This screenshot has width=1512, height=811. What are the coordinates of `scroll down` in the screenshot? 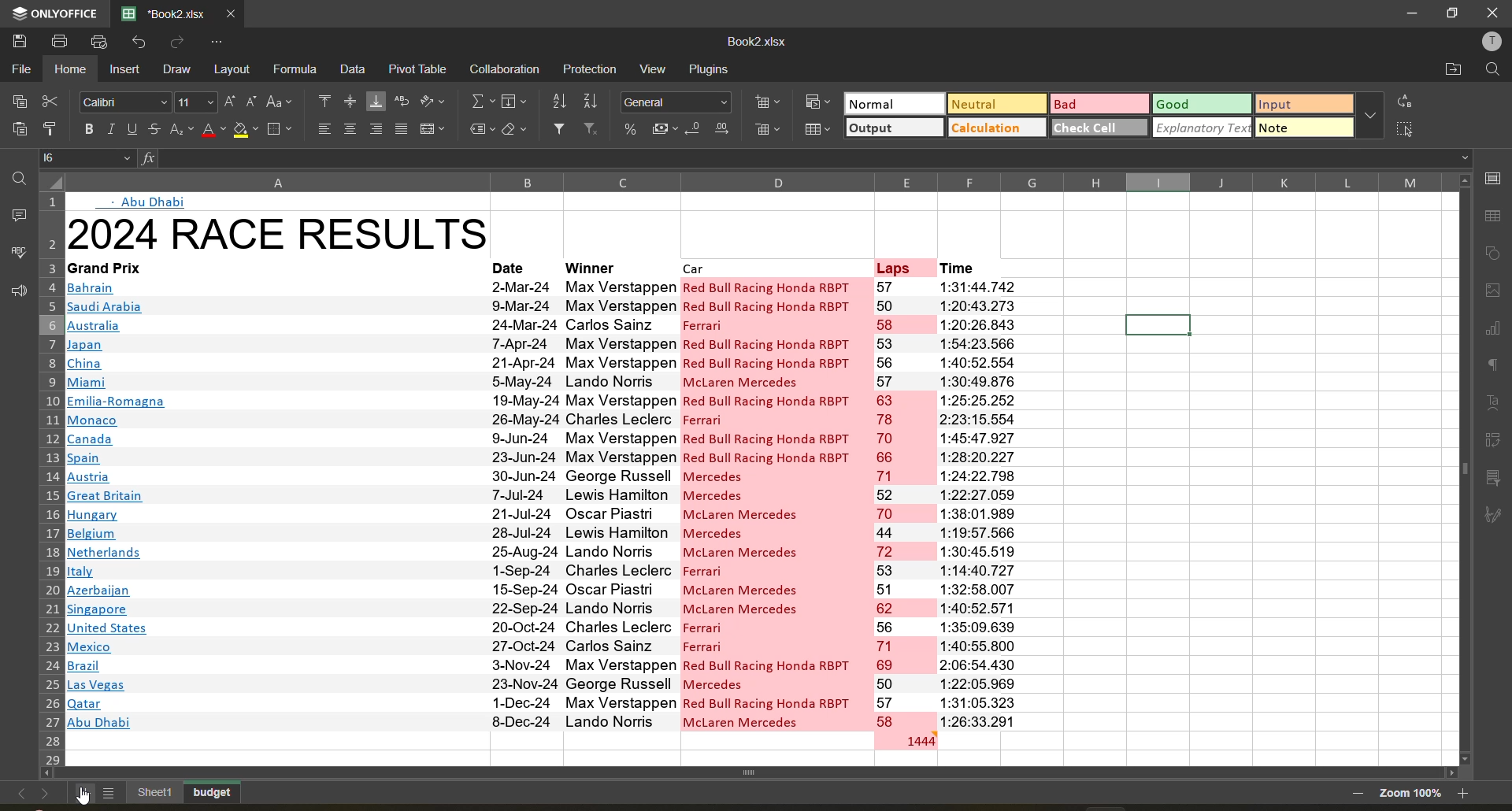 It's located at (1466, 759).